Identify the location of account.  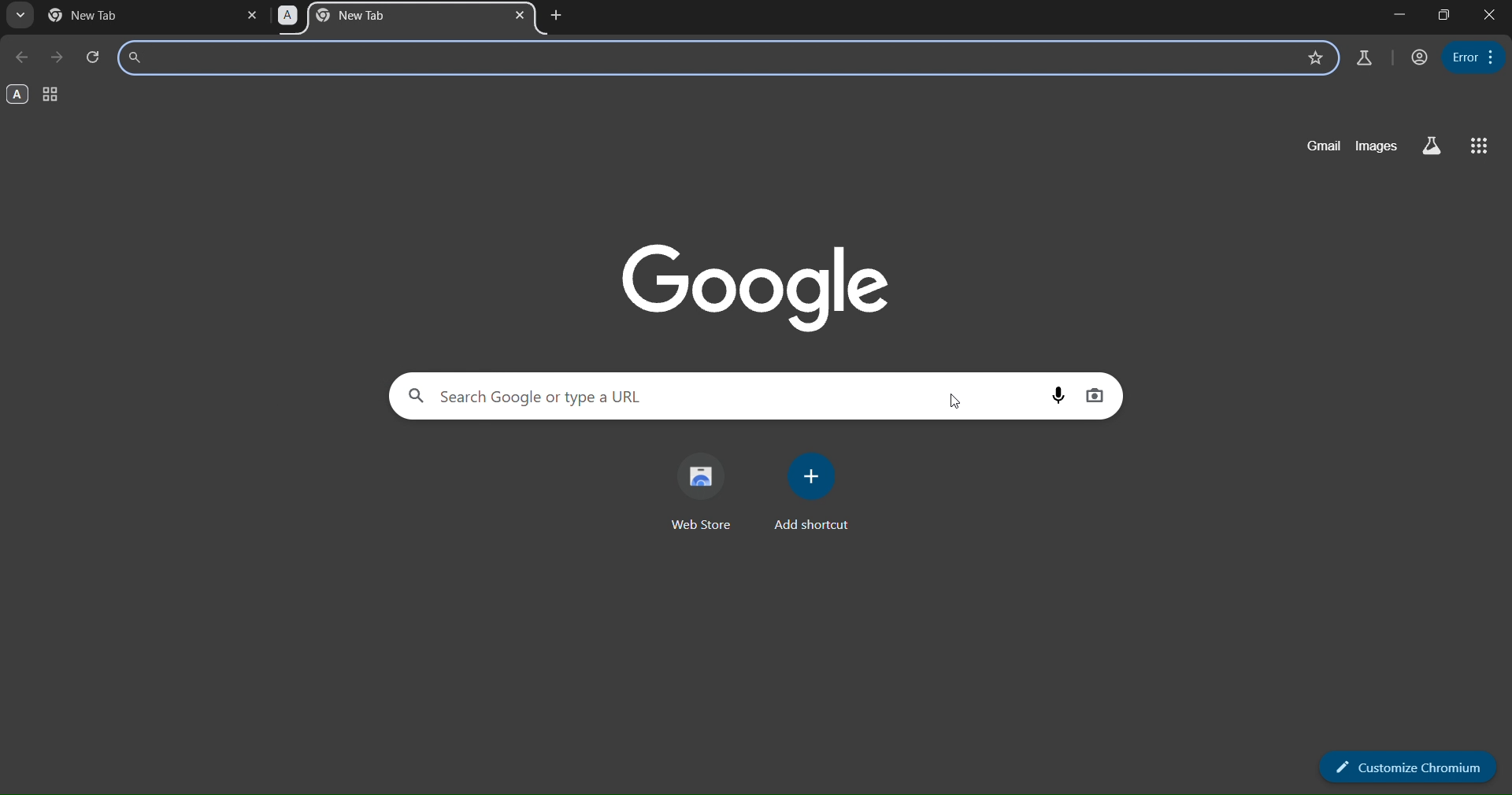
(1417, 57).